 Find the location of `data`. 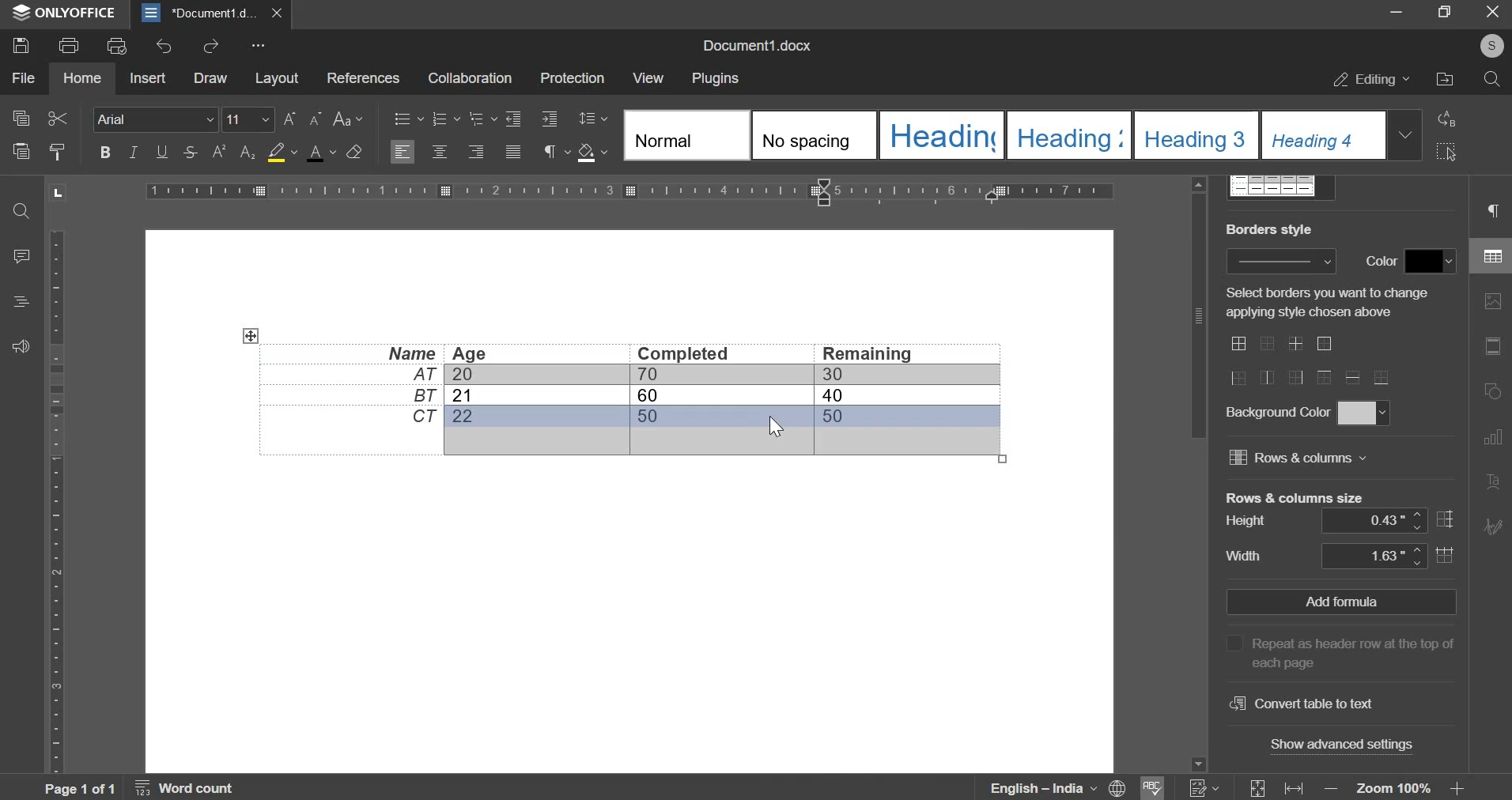

data is located at coordinates (624, 394).